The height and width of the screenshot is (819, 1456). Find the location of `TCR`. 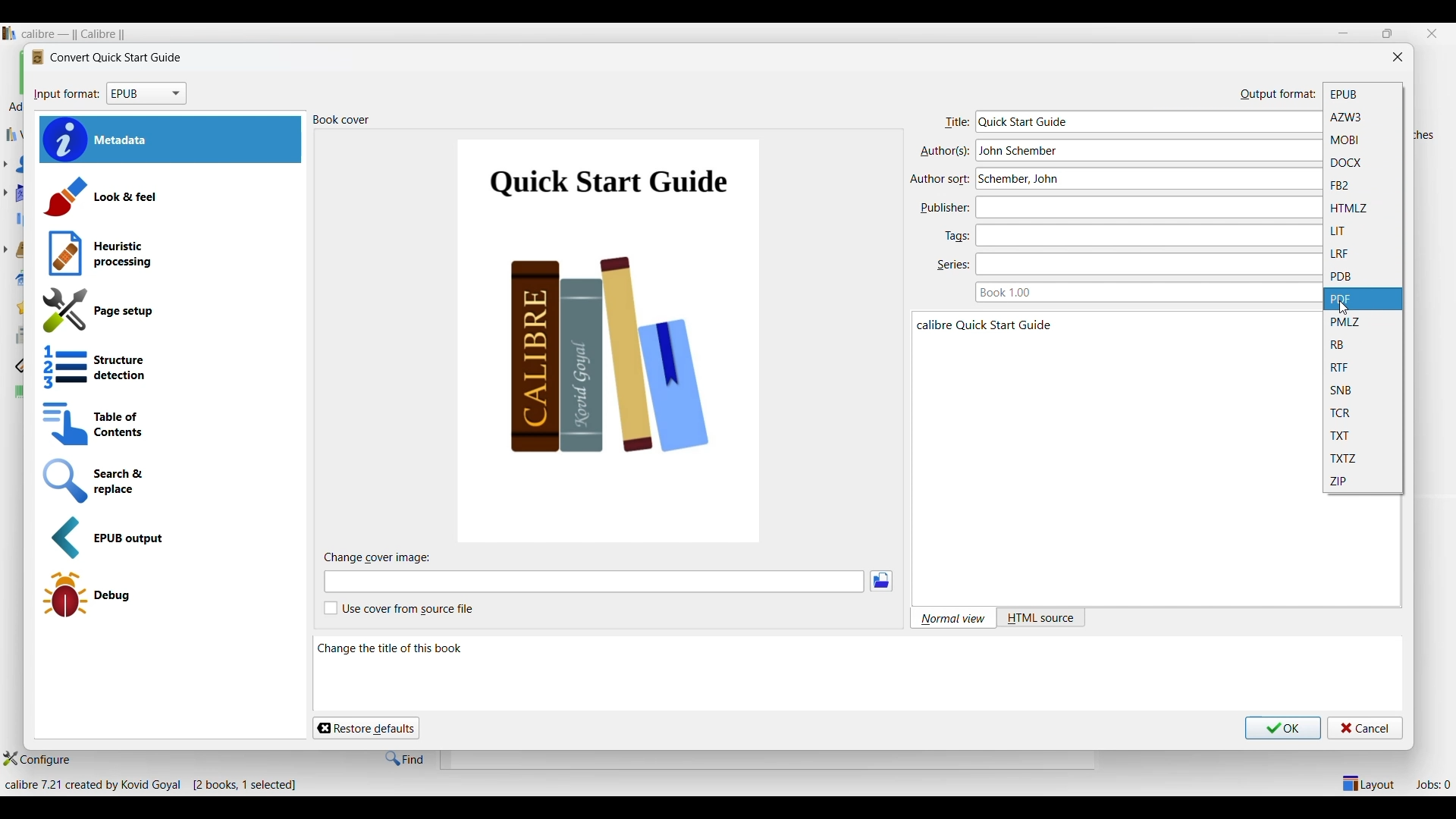

TCR is located at coordinates (1362, 413).